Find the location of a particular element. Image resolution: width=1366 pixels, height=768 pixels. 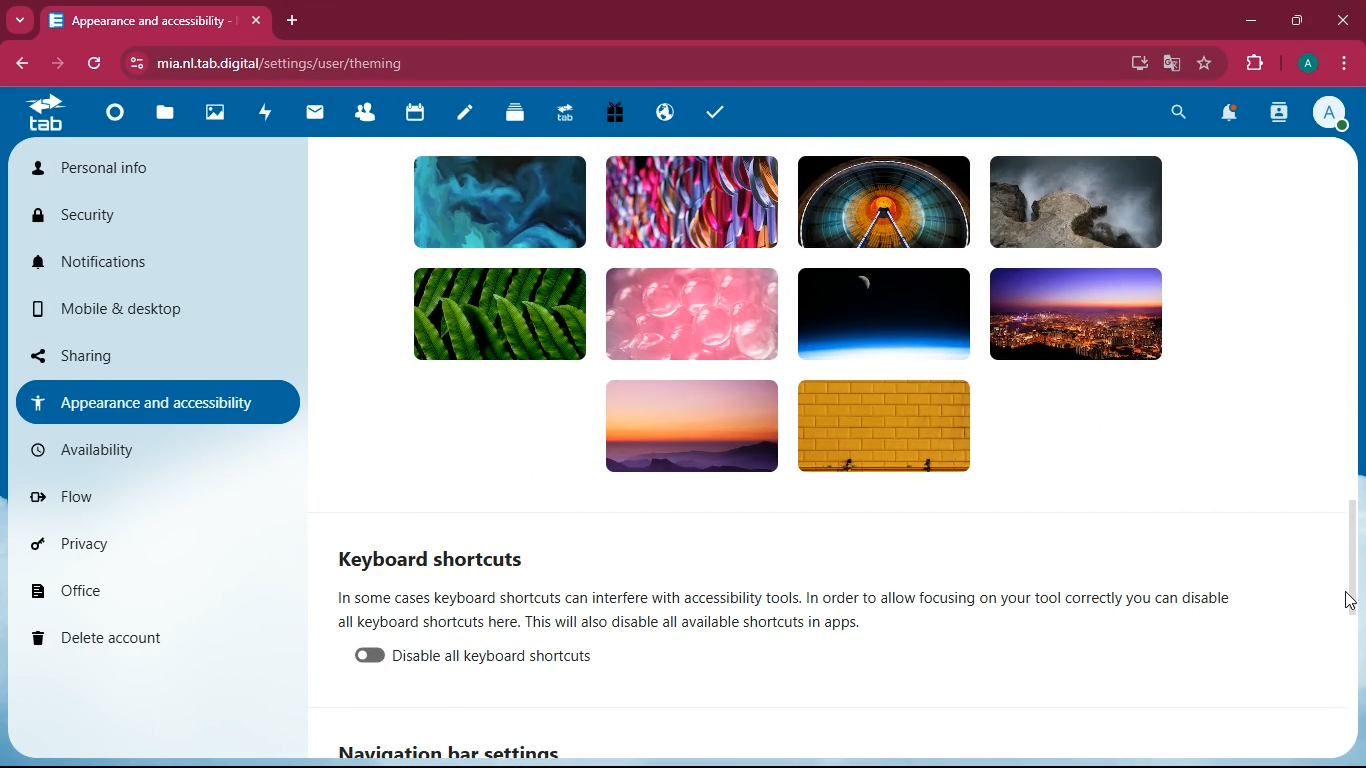

desktop is located at coordinates (1135, 63).